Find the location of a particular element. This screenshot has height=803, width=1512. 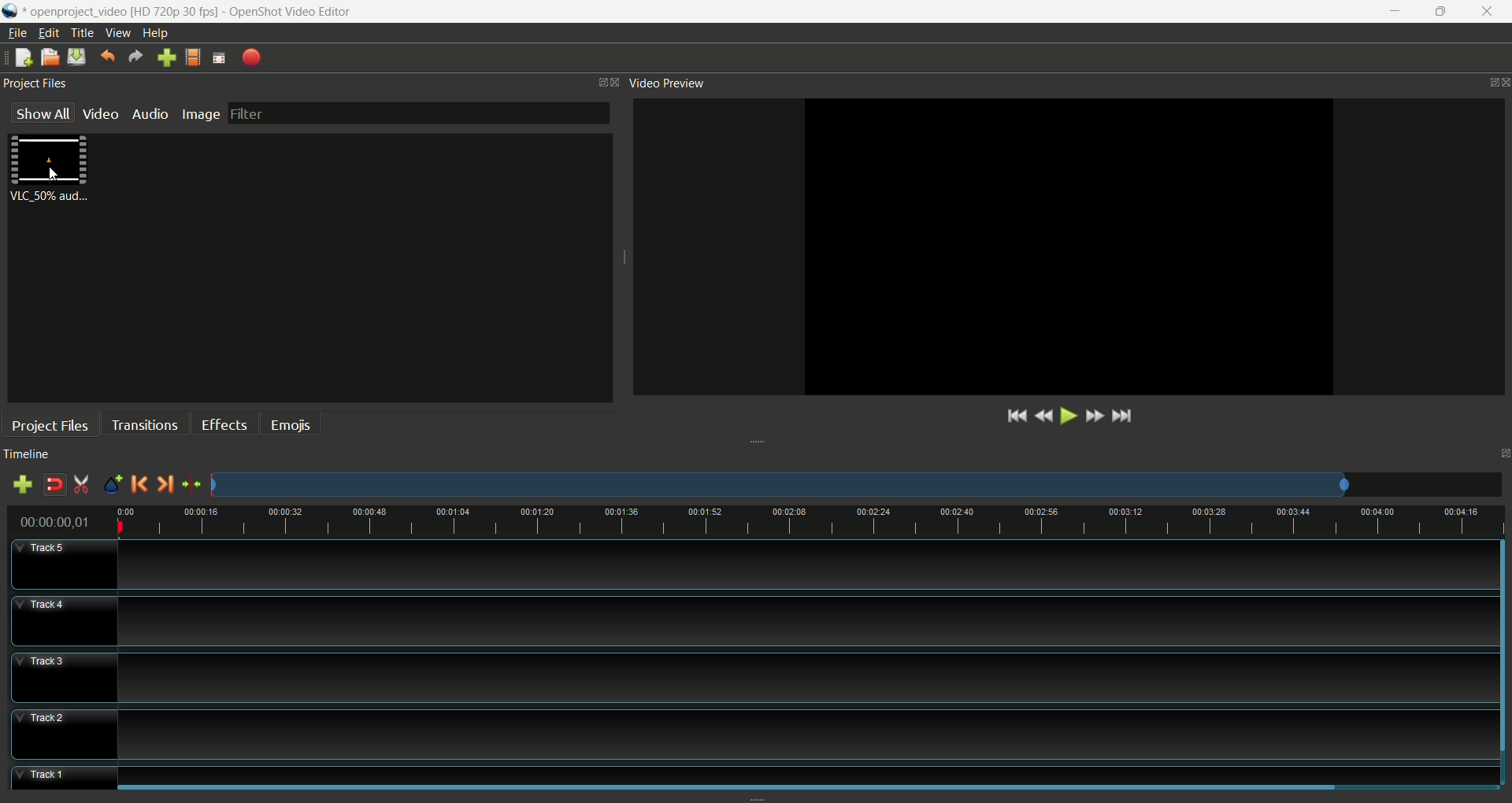

centre the timeline on playhead is located at coordinates (191, 485).